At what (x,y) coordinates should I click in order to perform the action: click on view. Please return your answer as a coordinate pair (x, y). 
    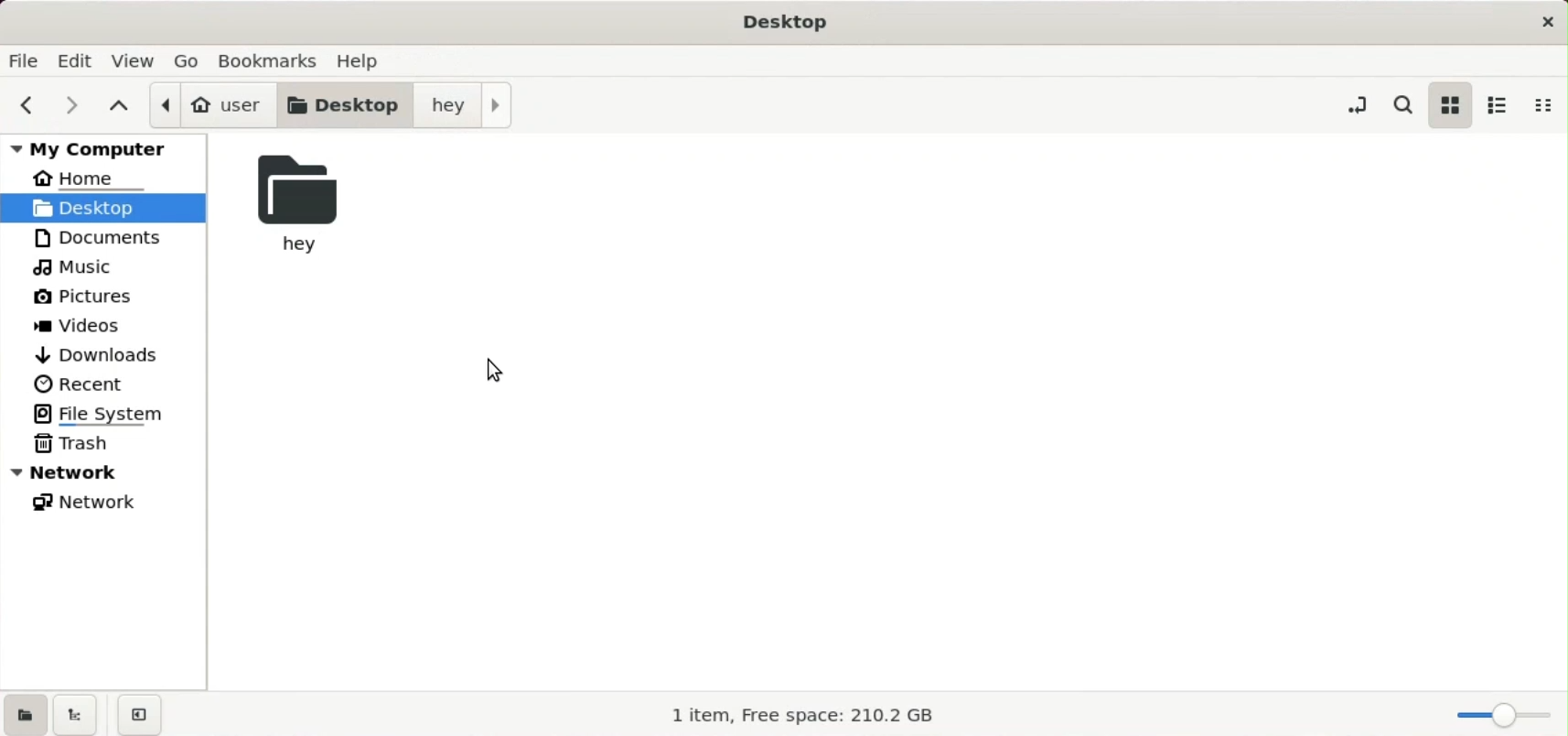
    Looking at the image, I should click on (136, 61).